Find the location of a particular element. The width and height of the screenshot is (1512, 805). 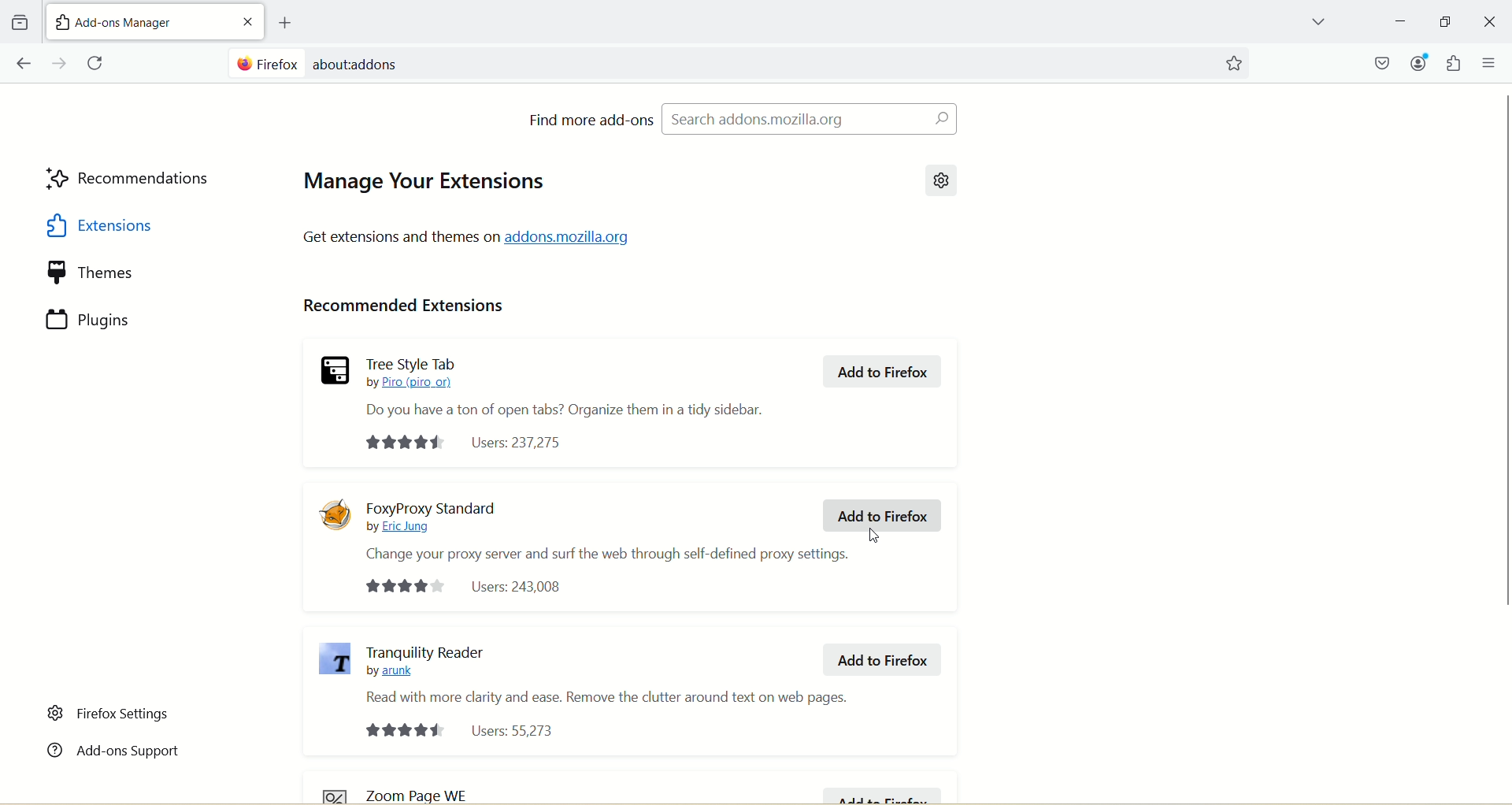

Find more add ons is located at coordinates (591, 119).